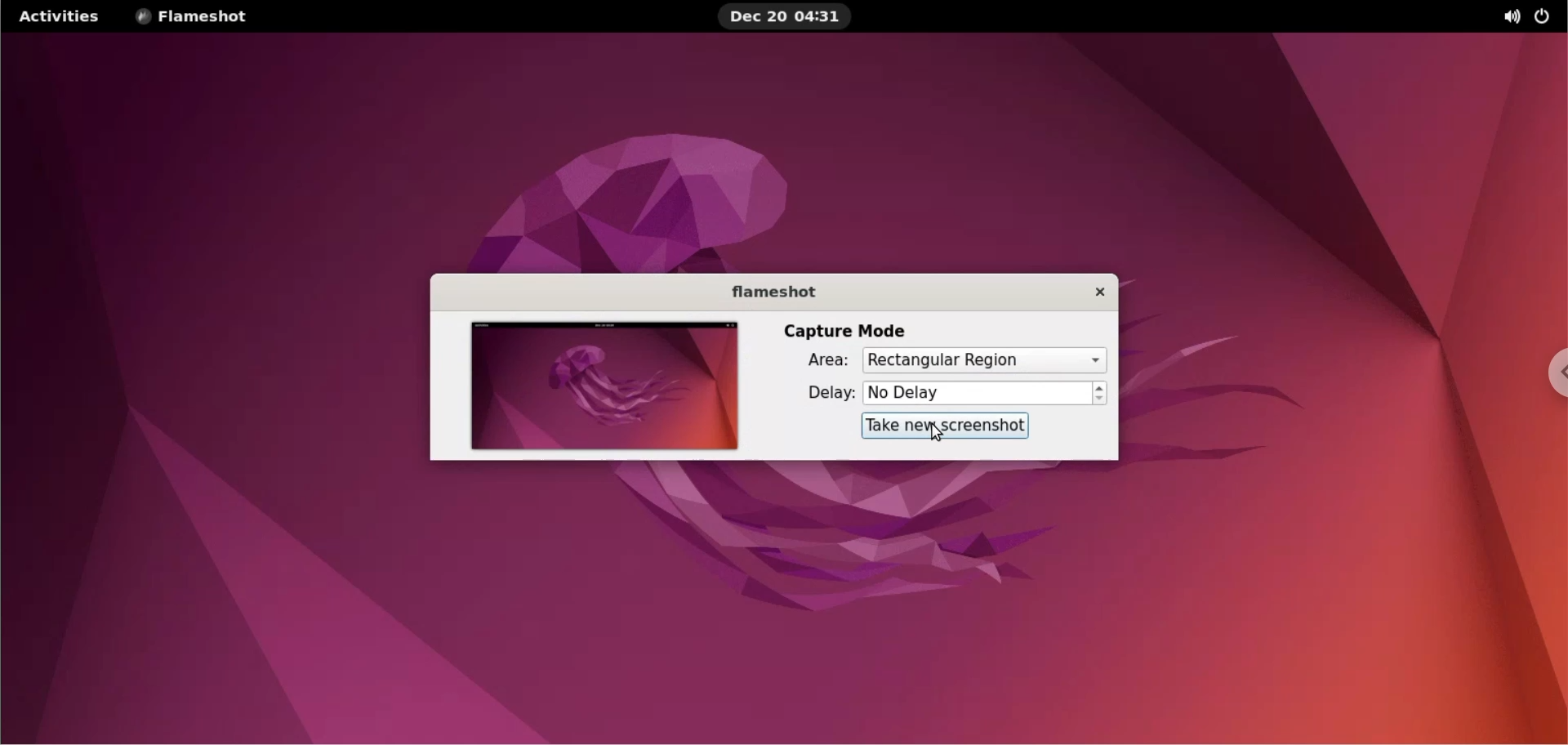 This screenshot has height=745, width=1568. I want to click on capture mode , so click(853, 331).